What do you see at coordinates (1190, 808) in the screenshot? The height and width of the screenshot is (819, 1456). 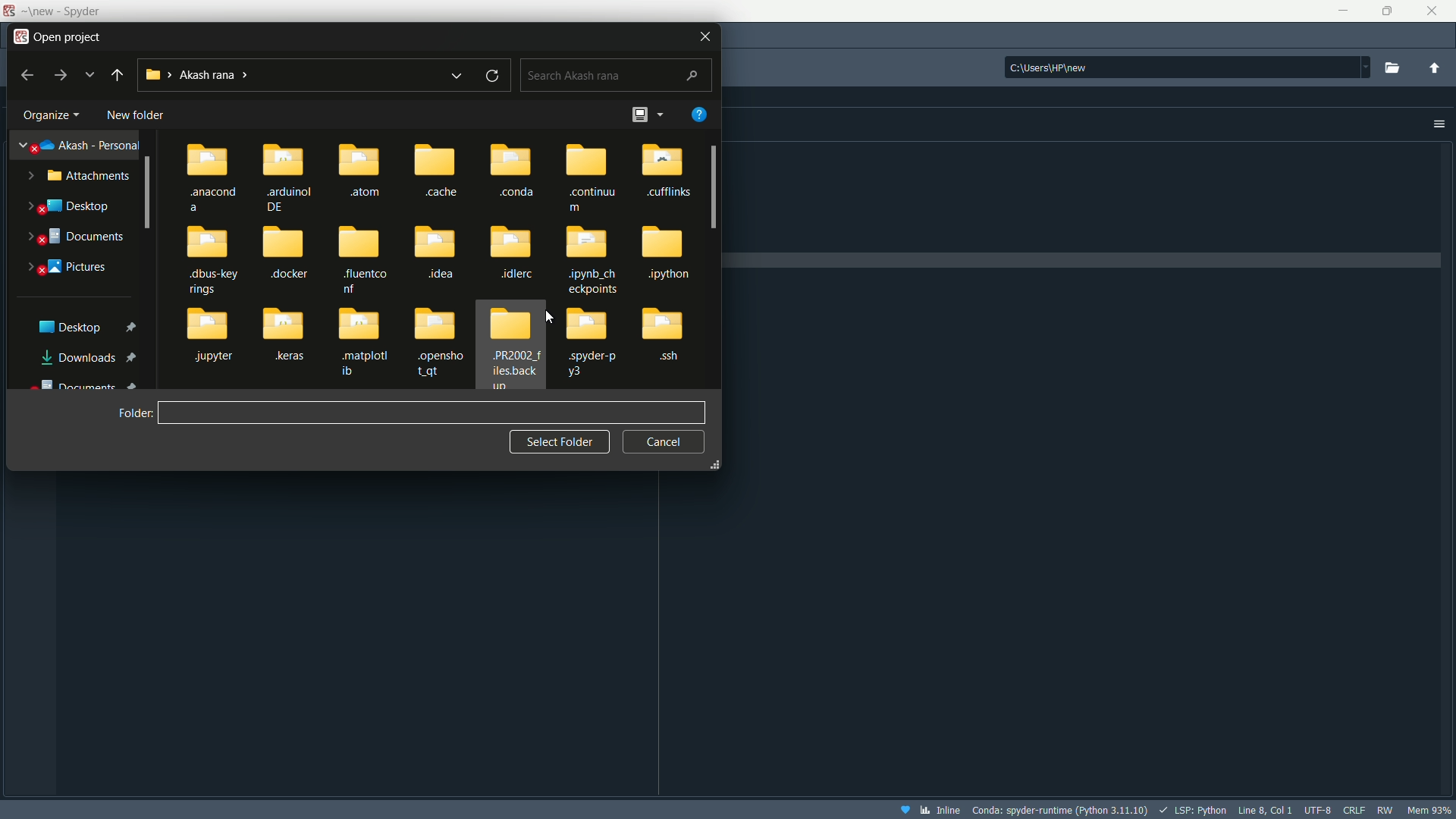 I see `LSP:Python` at bounding box center [1190, 808].